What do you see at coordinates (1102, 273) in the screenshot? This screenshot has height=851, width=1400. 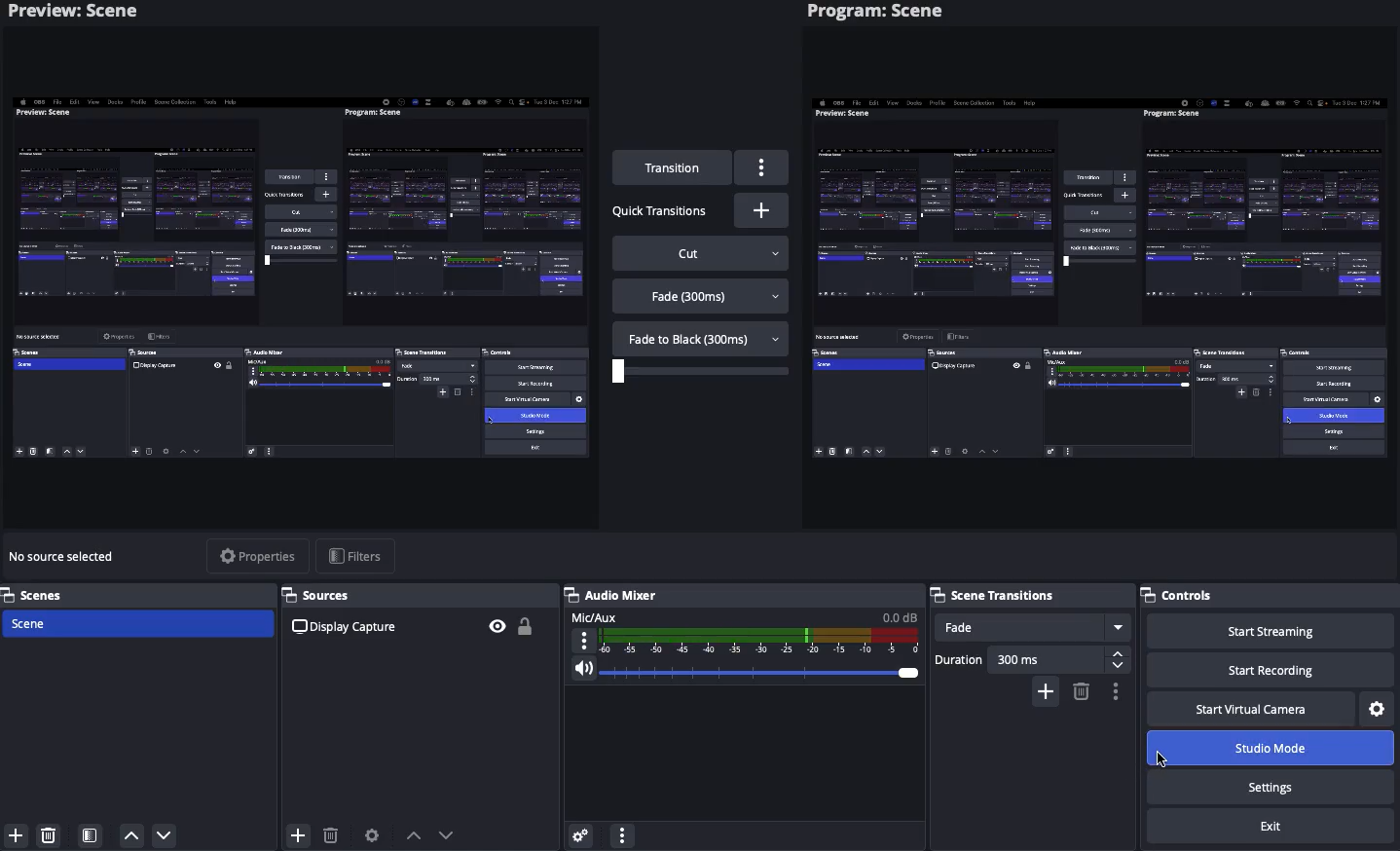 I see `Split` at bounding box center [1102, 273].